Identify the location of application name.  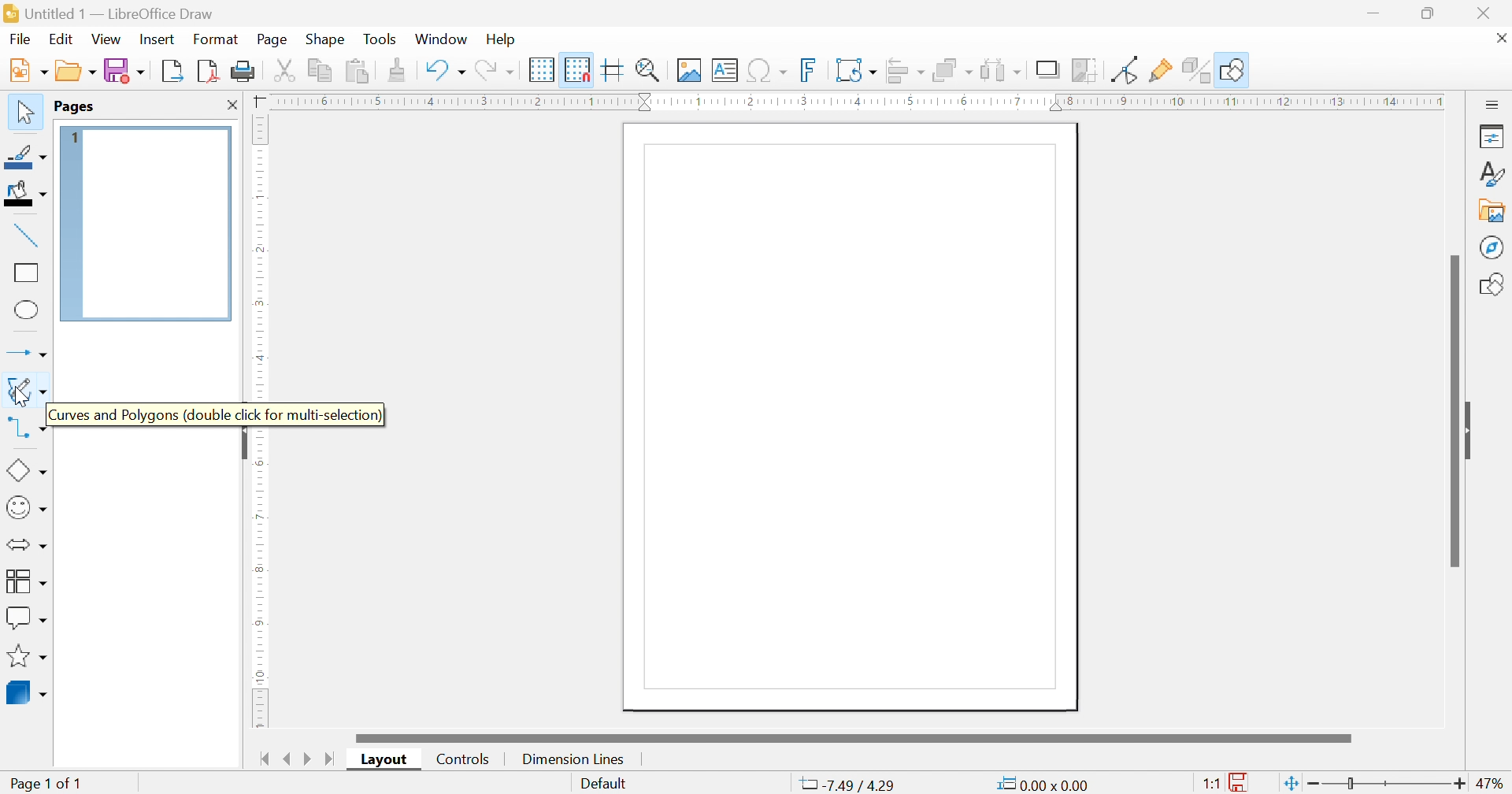
(112, 13).